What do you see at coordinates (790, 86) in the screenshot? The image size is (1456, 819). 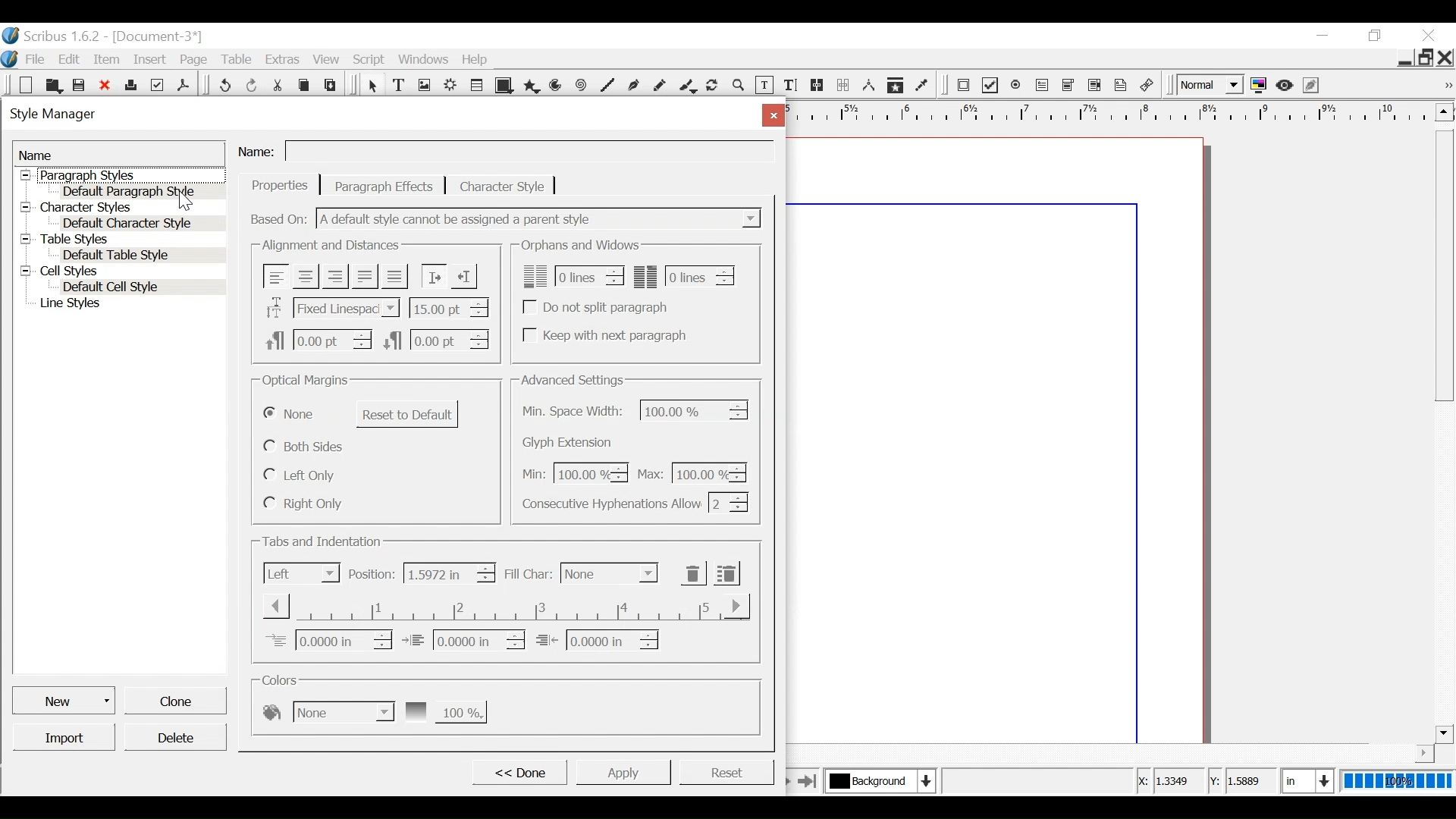 I see `Edit text with Story` at bounding box center [790, 86].